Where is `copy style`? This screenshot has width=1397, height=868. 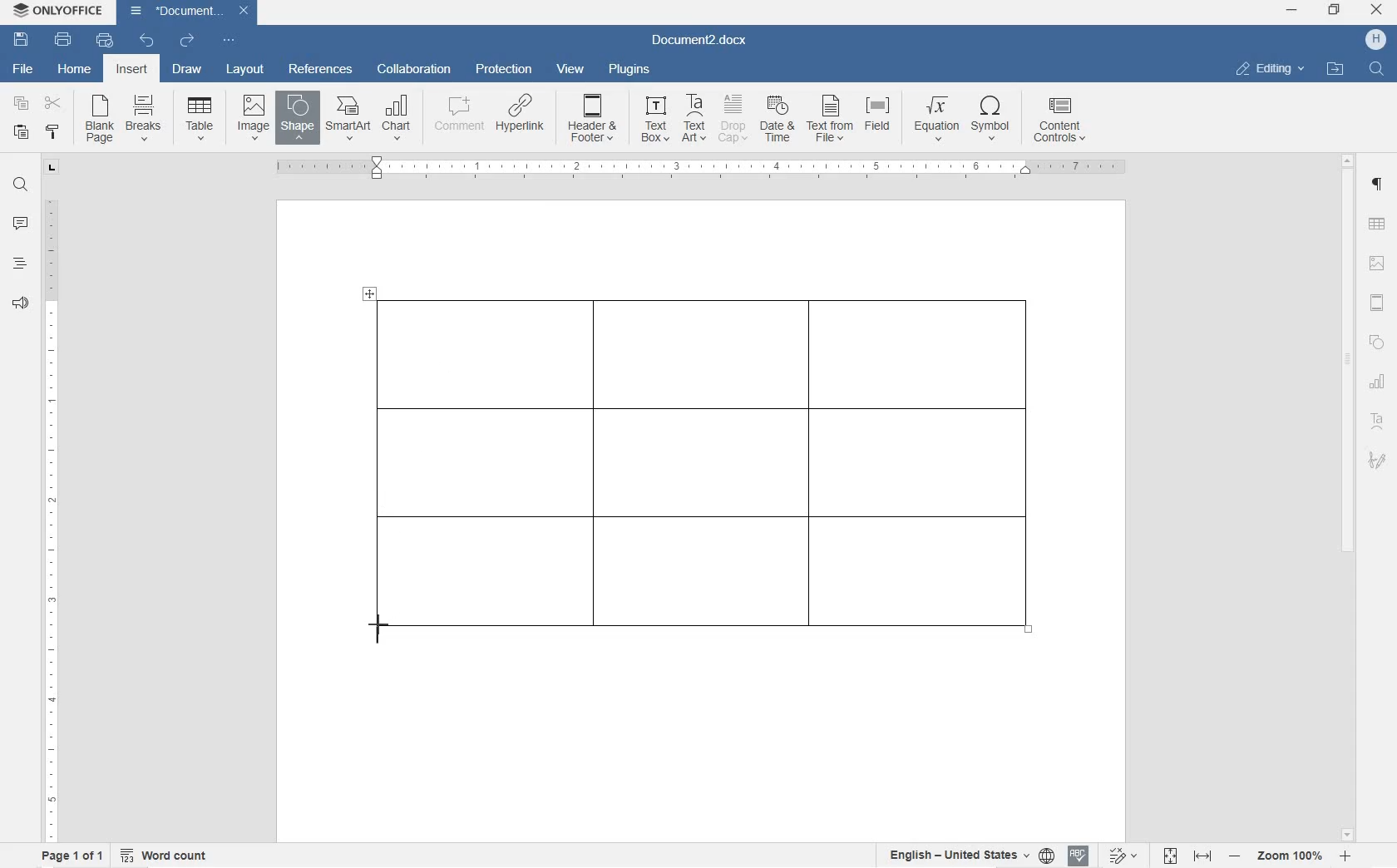 copy style is located at coordinates (53, 132).